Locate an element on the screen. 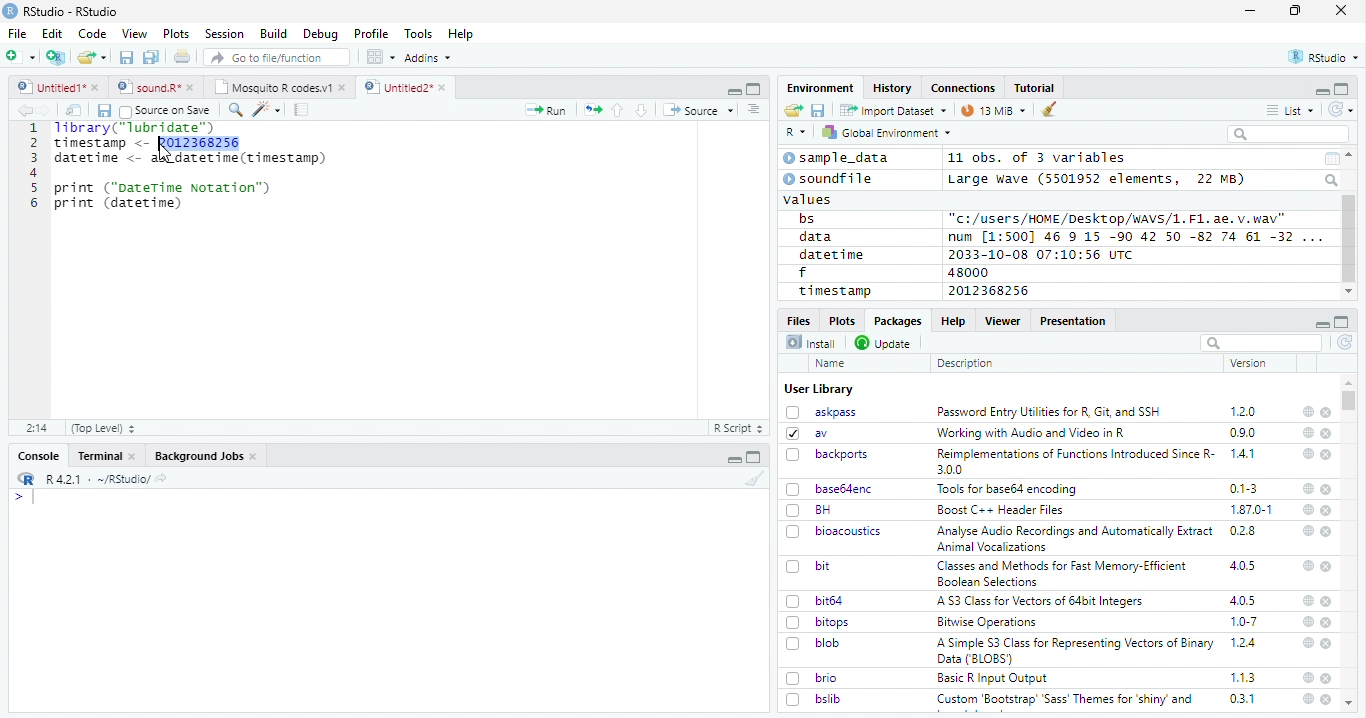 The image size is (1366, 718). minimize is located at coordinates (1321, 322).